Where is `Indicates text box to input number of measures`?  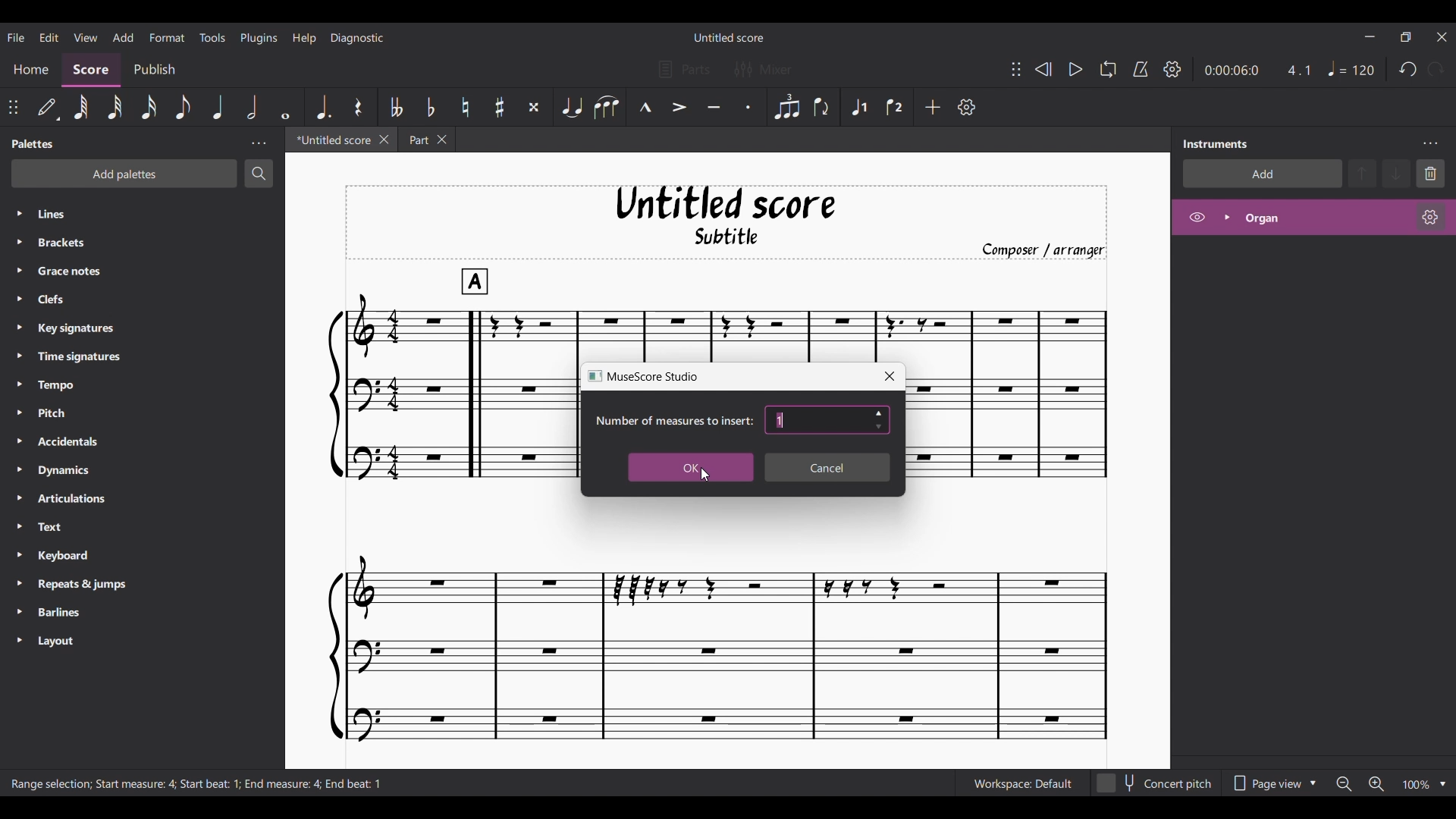 Indicates text box to input number of measures is located at coordinates (673, 421).